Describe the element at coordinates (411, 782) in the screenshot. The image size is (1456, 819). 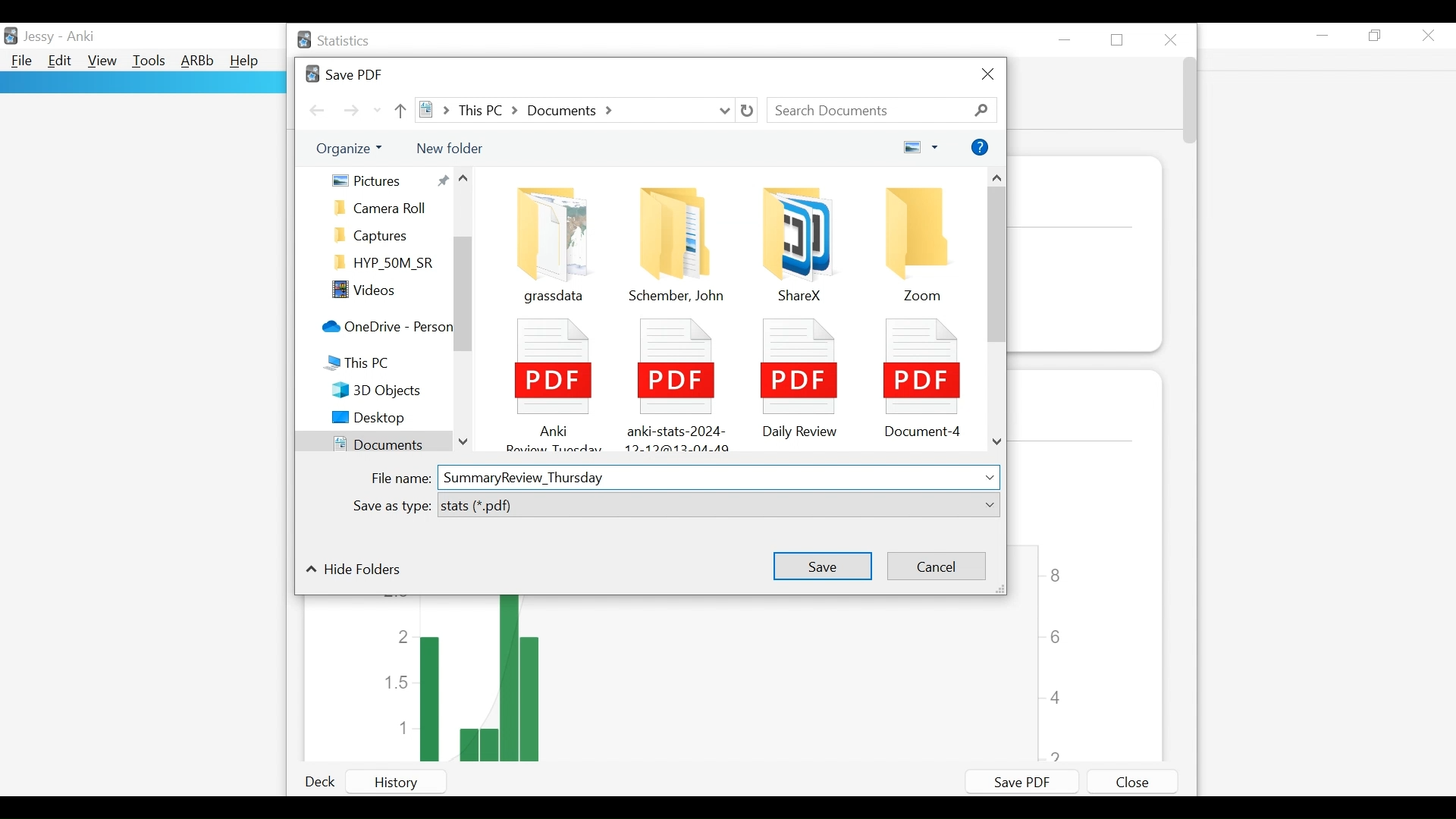
I see `History` at that location.